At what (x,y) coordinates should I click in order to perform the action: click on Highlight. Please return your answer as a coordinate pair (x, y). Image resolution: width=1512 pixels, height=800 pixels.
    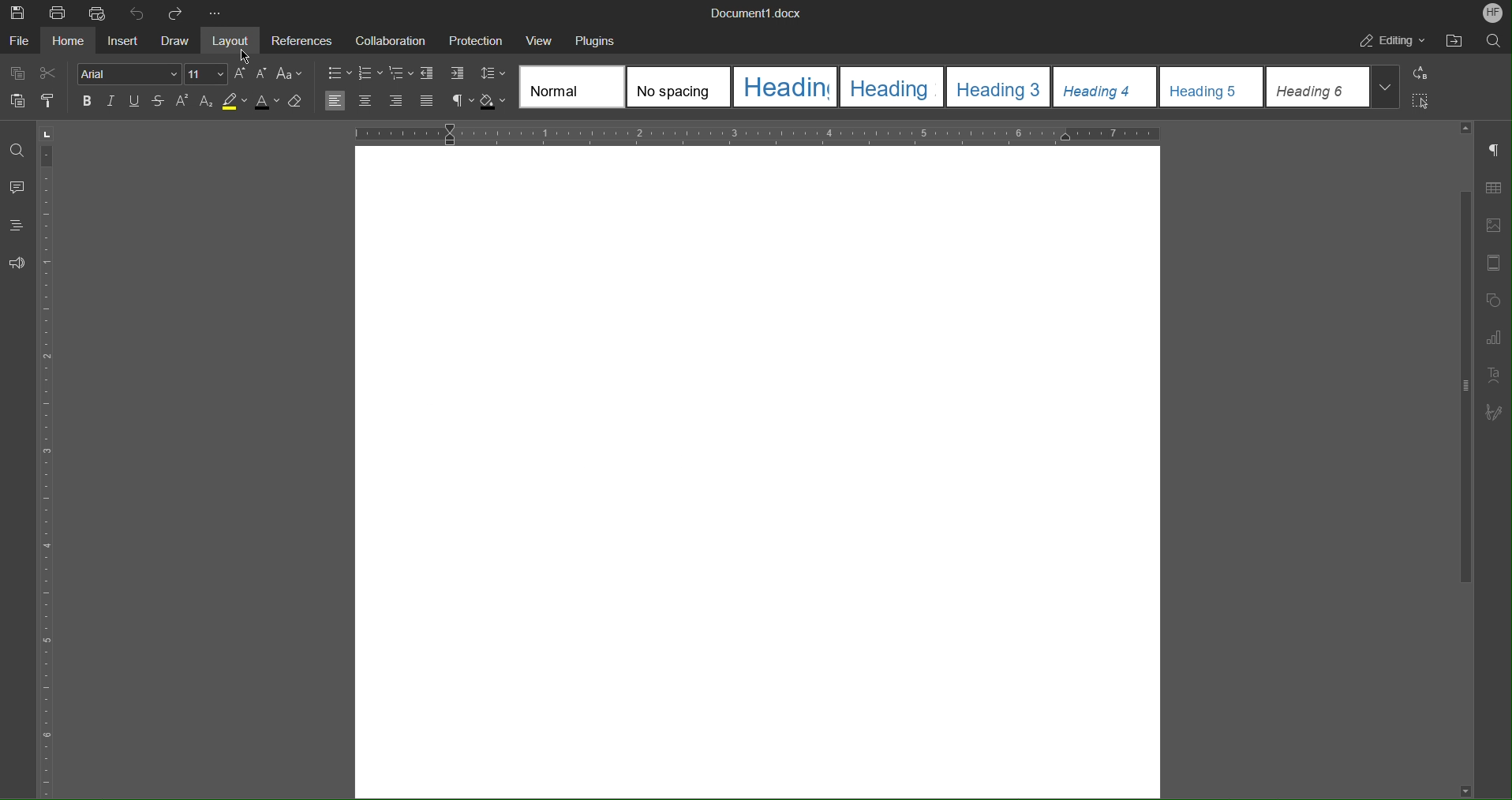
    Looking at the image, I should click on (234, 102).